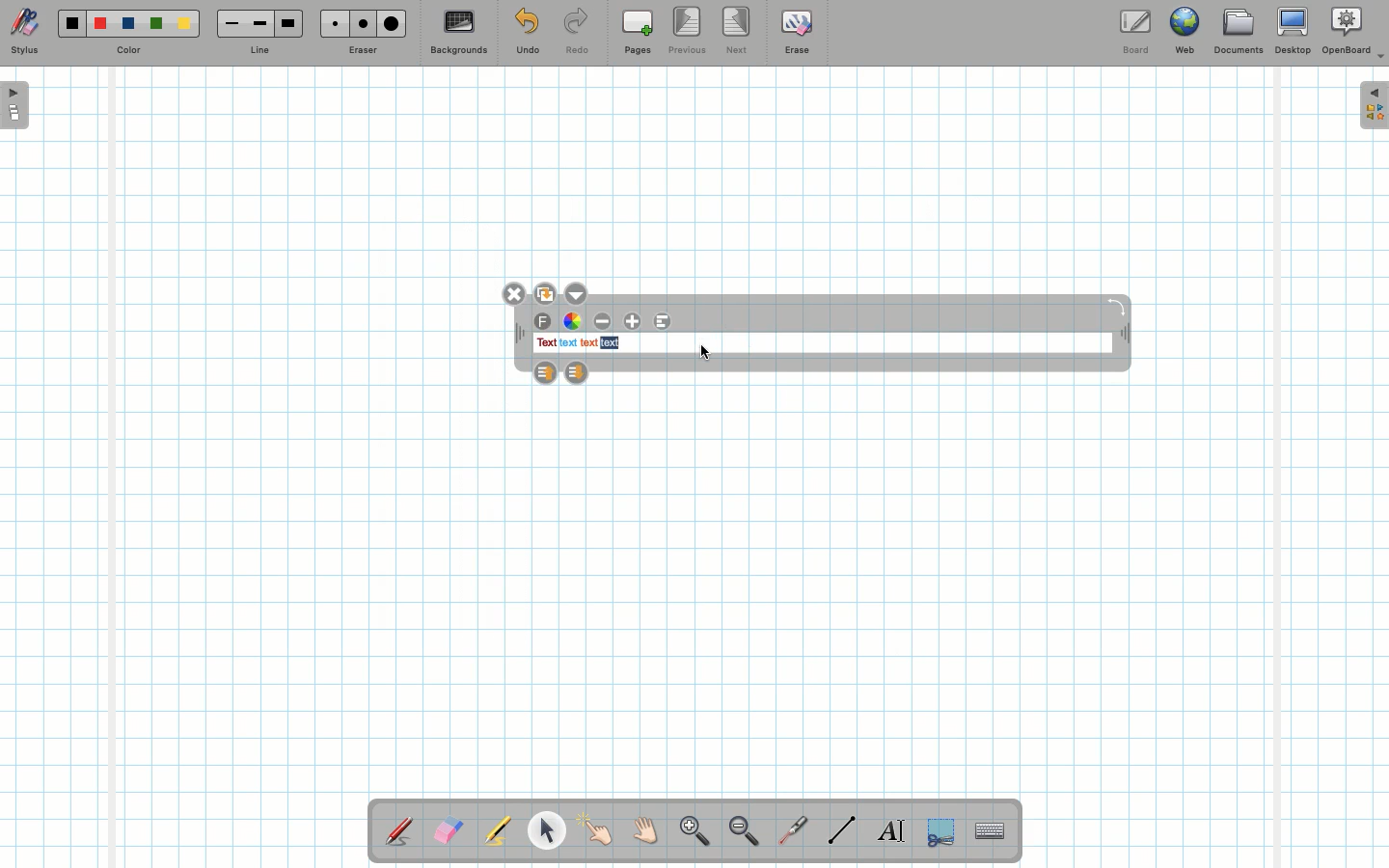  I want to click on Options, so click(581, 292).